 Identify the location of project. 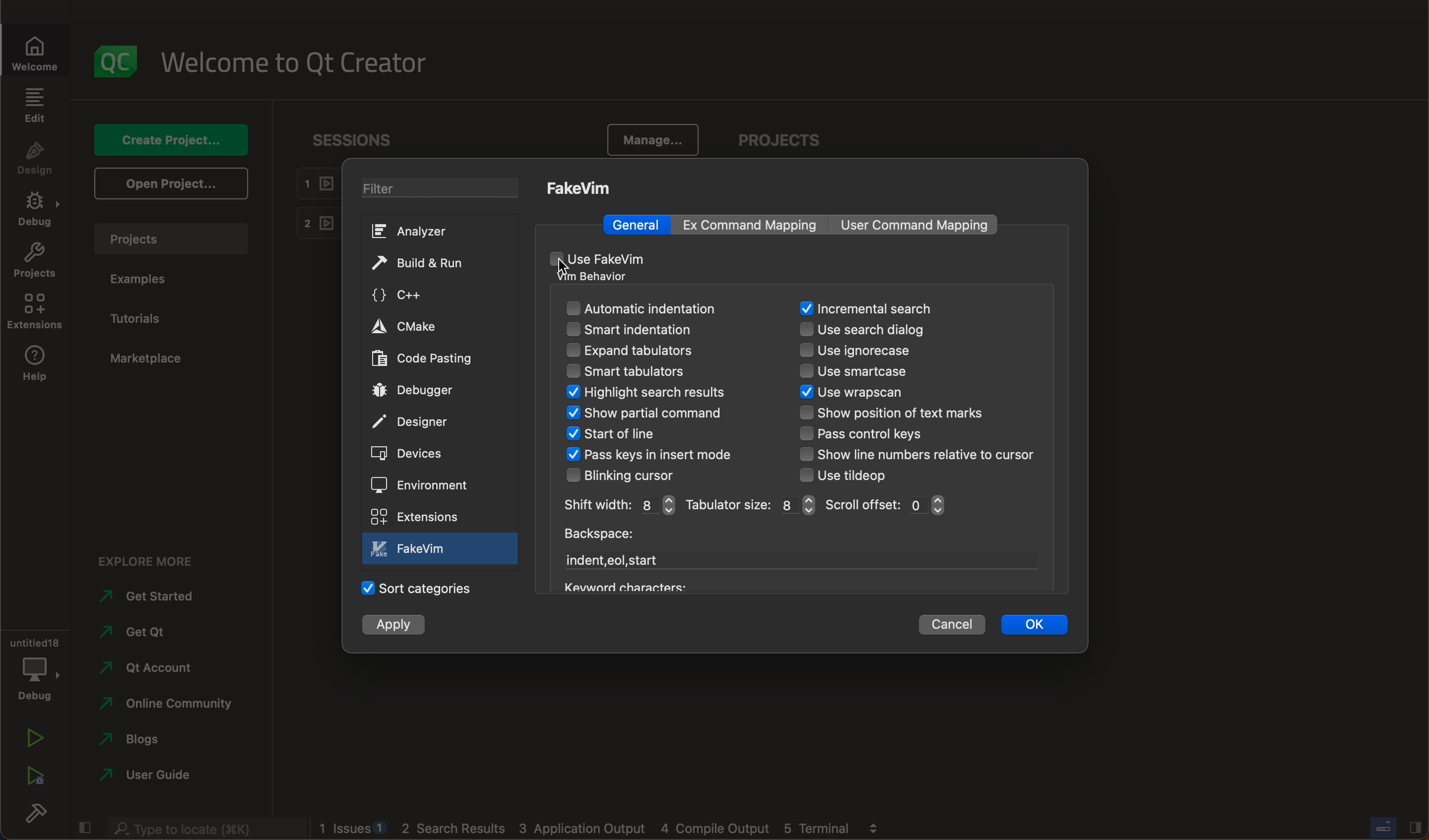
(787, 137).